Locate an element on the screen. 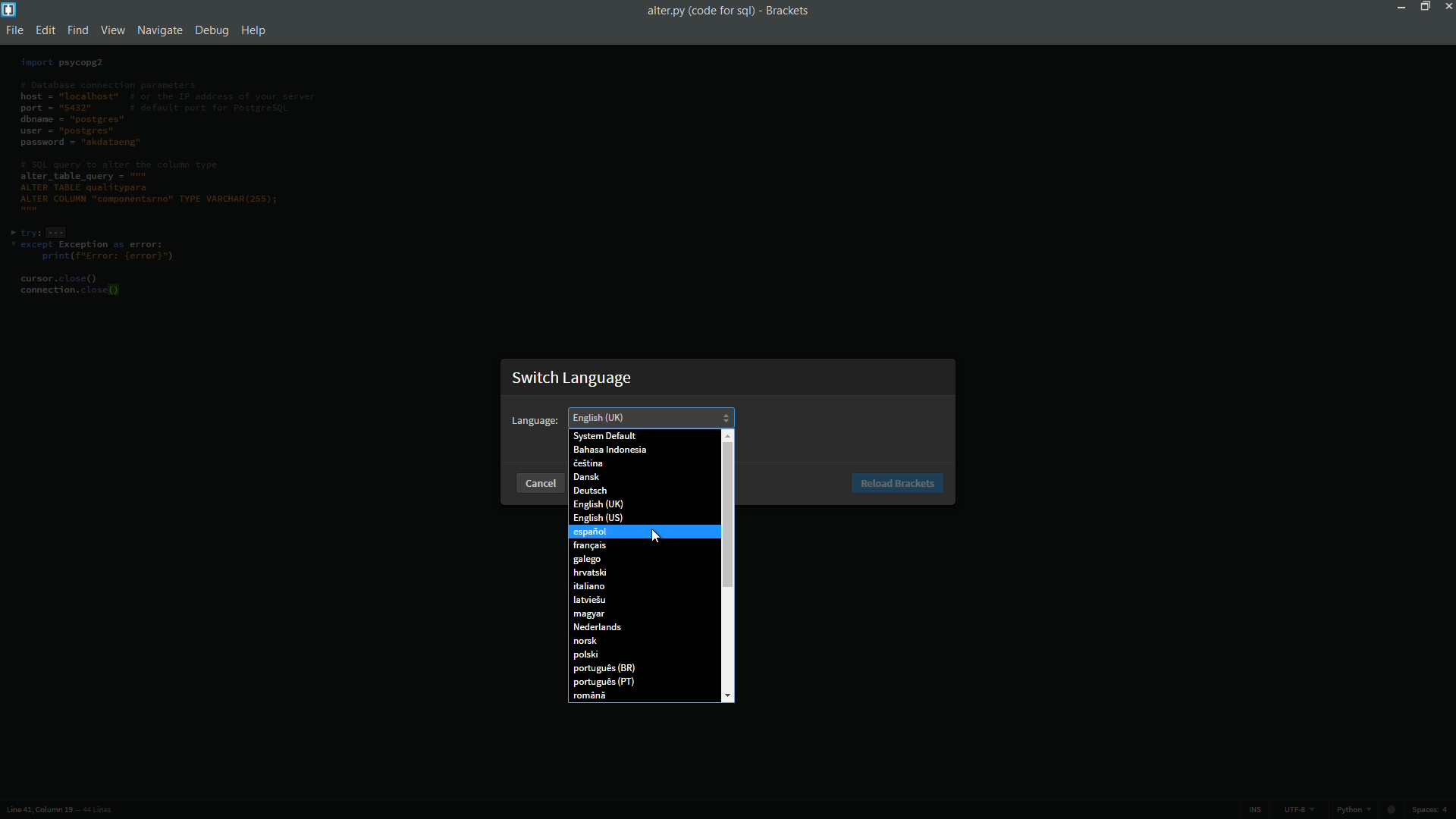 The height and width of the screenshot is (819, 1456). Bahasa Indonesia is located at coordinates (642, 451).